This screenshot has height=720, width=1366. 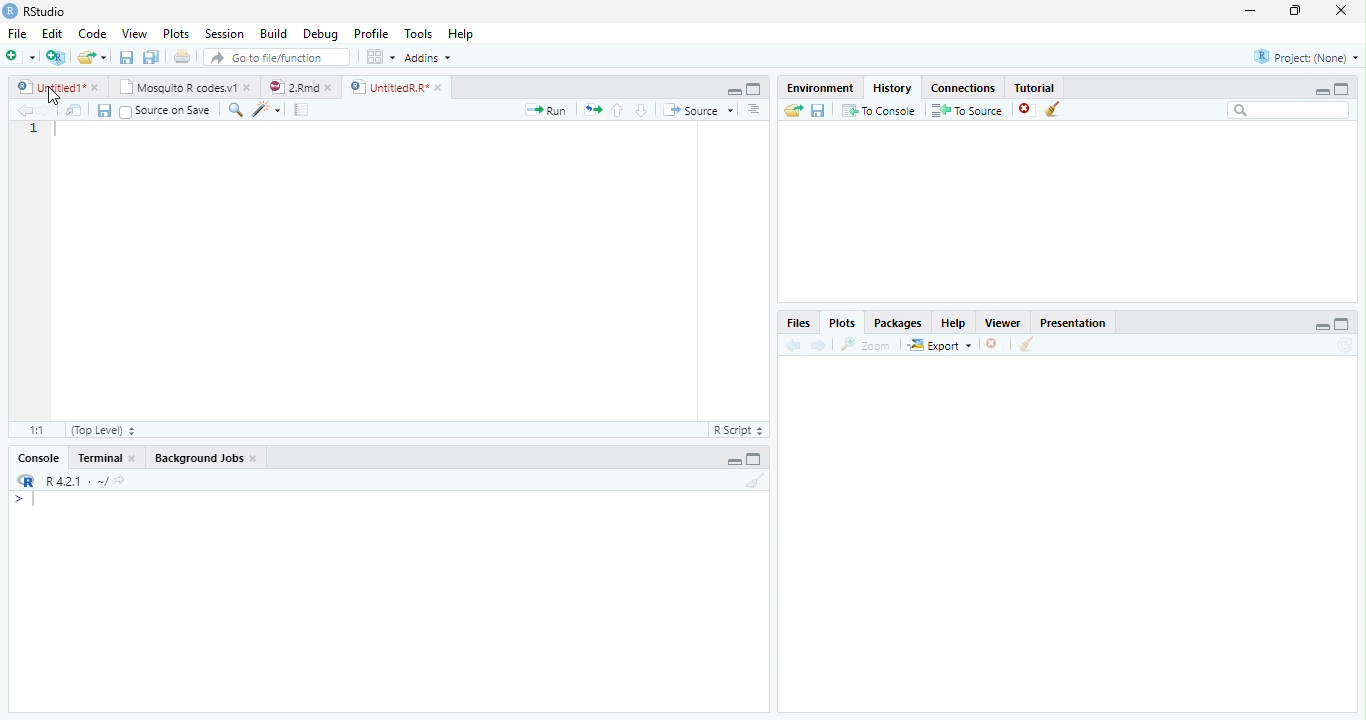 What do you see at coordinates (734, 93) in the screenshot?
I see `minimize` at bounding box center [734, 93].